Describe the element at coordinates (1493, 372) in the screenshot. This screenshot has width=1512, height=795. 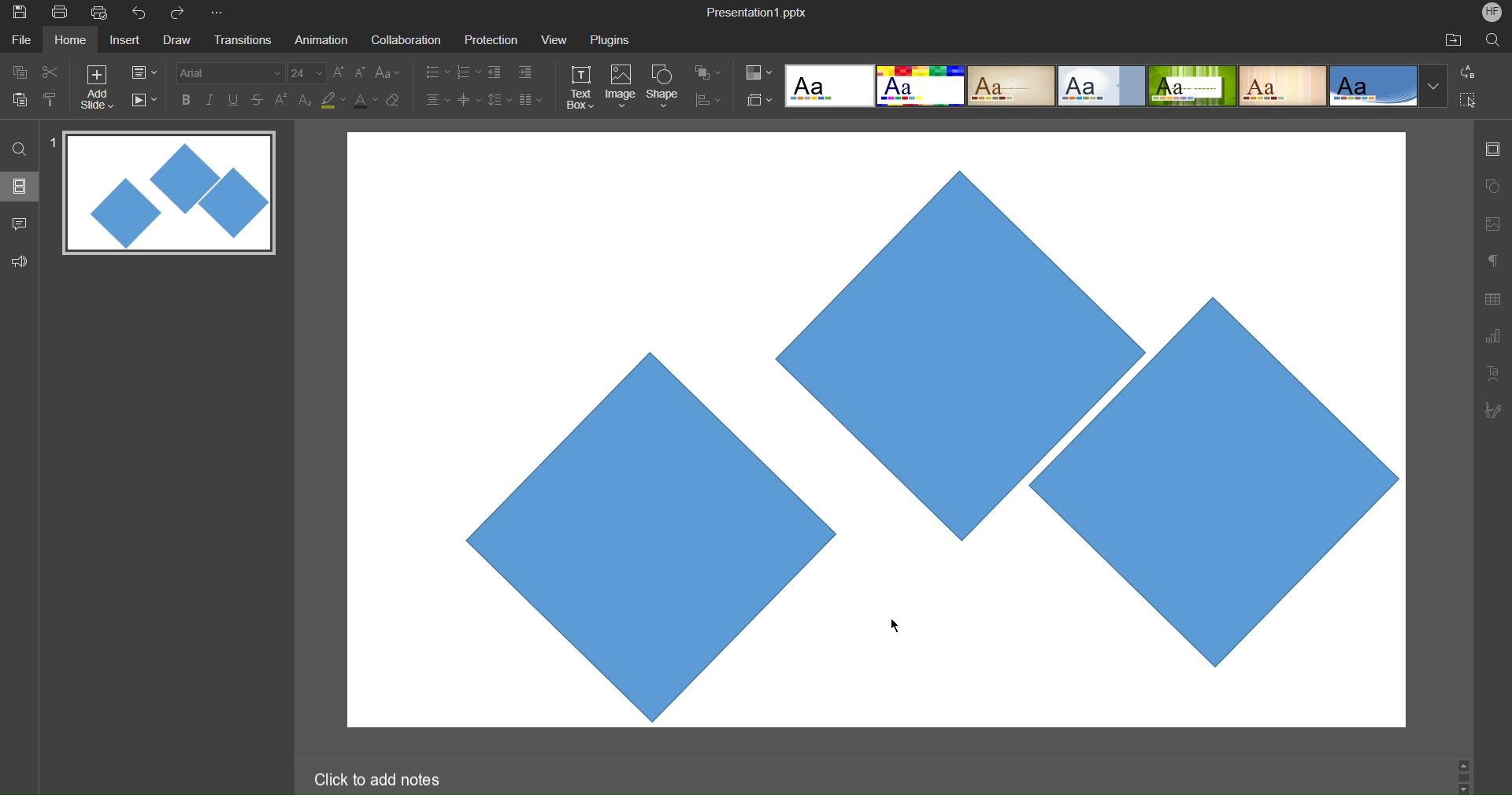
I see `Text Art` at that location.